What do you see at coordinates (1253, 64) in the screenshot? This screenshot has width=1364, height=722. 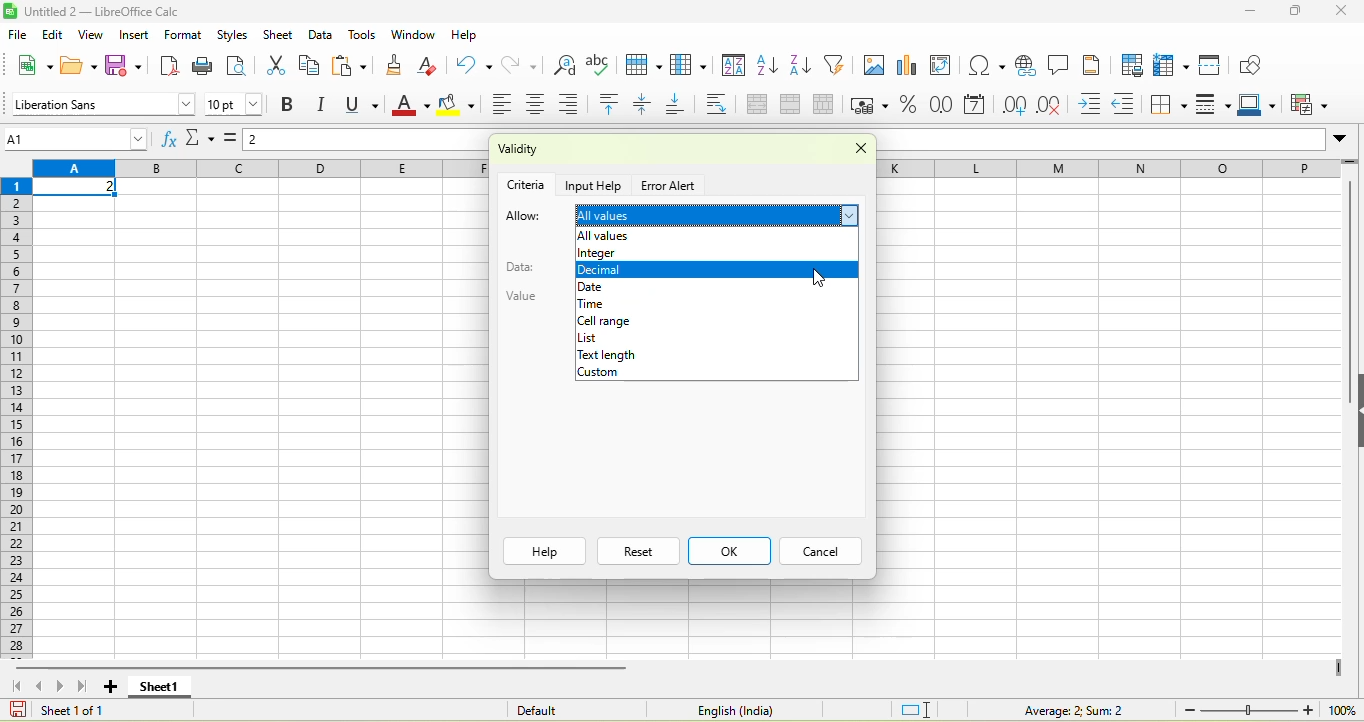 I see `show draw function` at bounding box center [1253, 64].